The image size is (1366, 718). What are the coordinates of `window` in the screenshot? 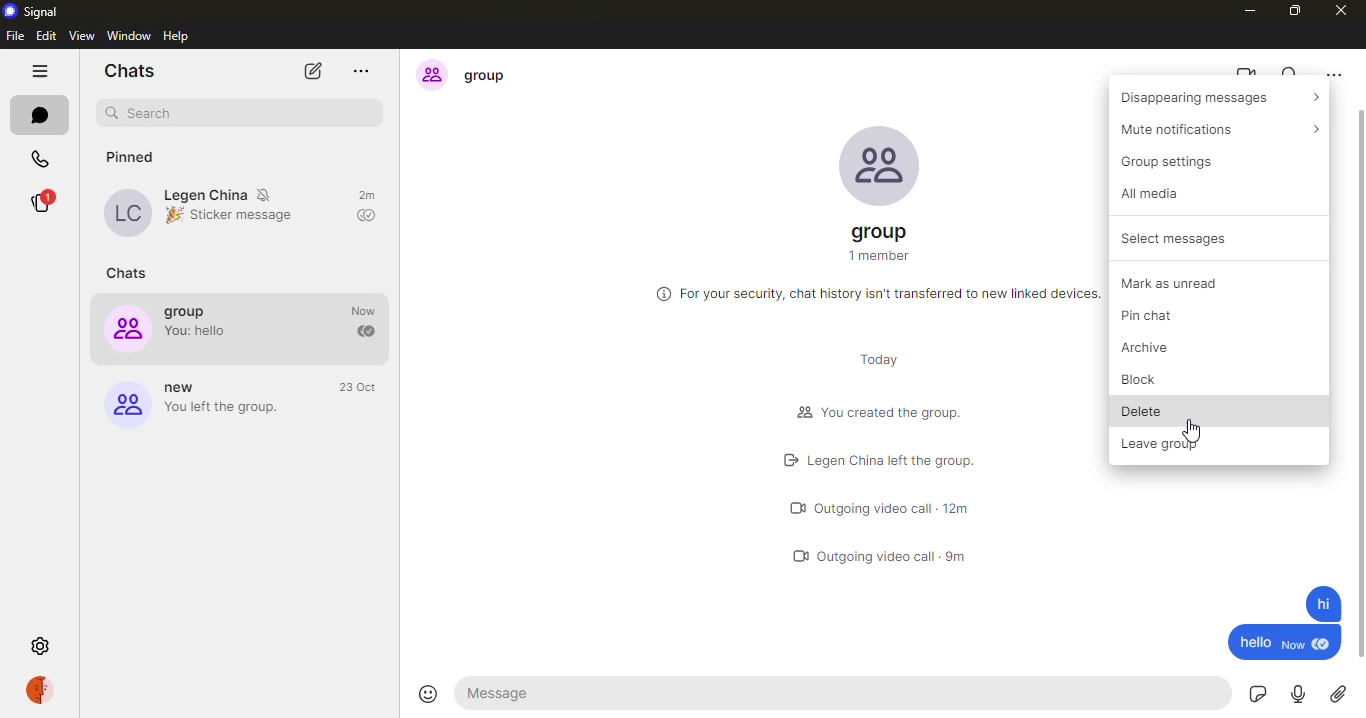 It's located at (128, 35).